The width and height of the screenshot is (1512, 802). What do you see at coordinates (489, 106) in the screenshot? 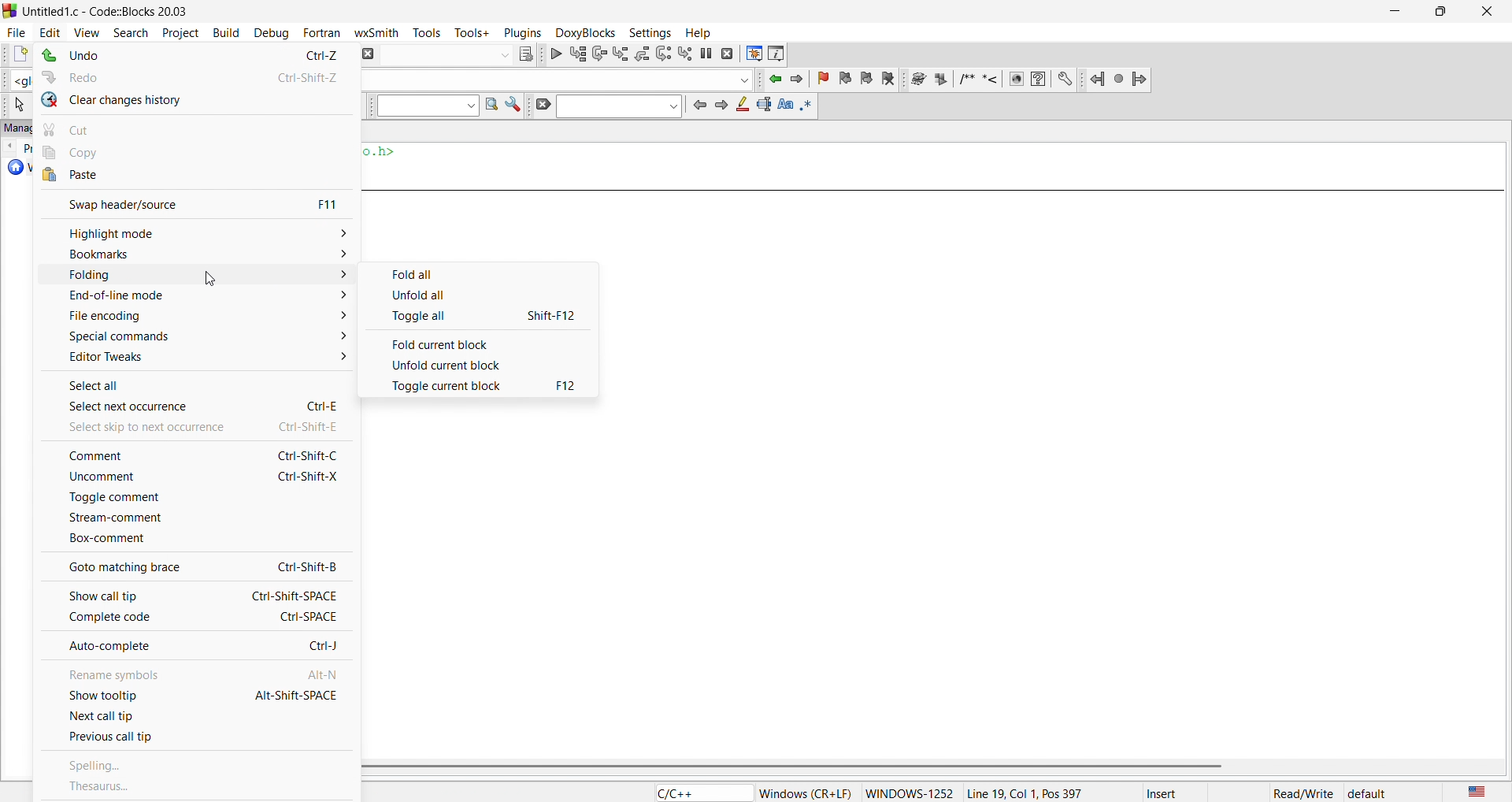
I see `find in page` at bounding box center [489, 106].